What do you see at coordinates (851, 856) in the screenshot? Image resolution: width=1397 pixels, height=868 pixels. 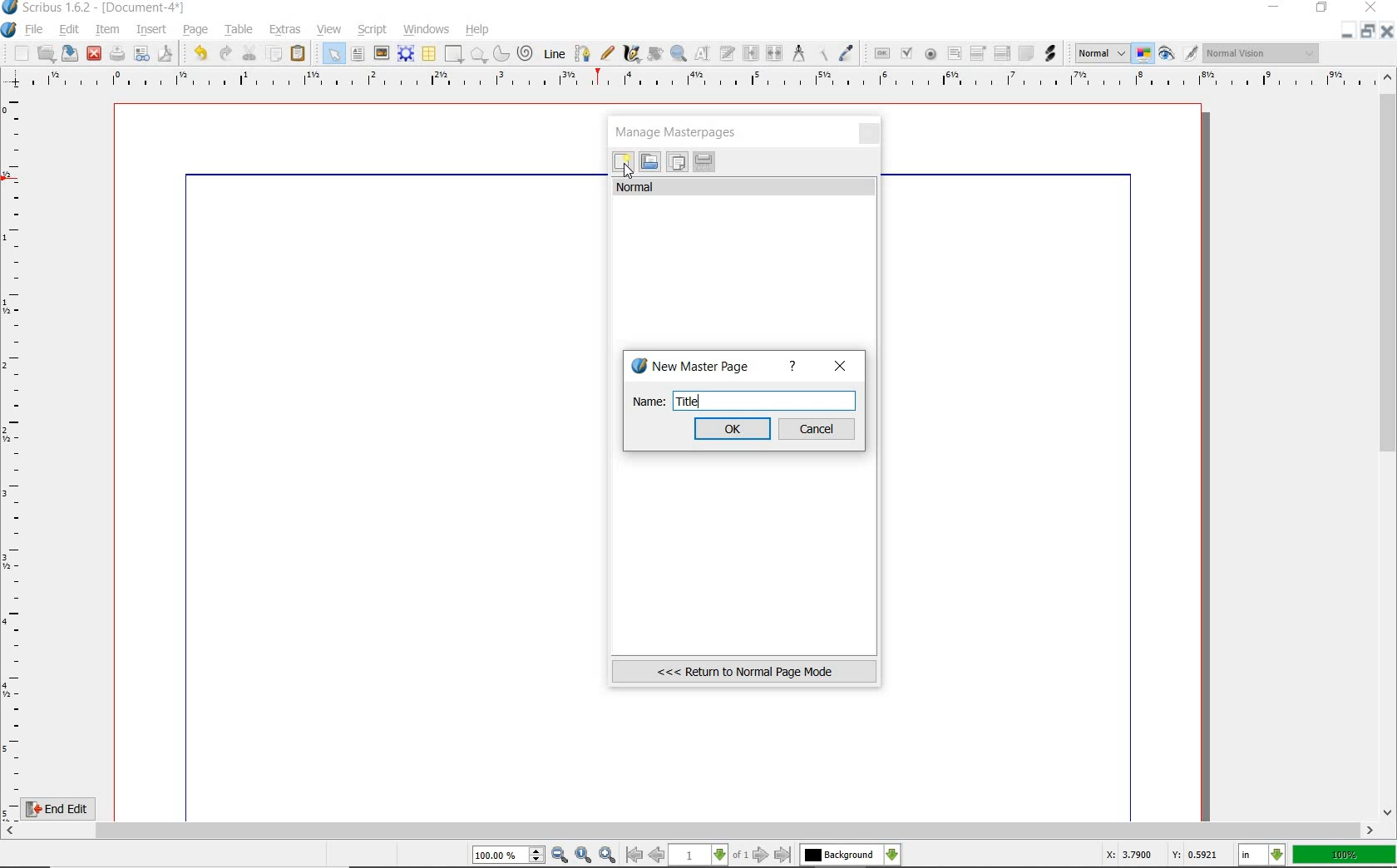 I see `Background` at bounding box center [851, 856].